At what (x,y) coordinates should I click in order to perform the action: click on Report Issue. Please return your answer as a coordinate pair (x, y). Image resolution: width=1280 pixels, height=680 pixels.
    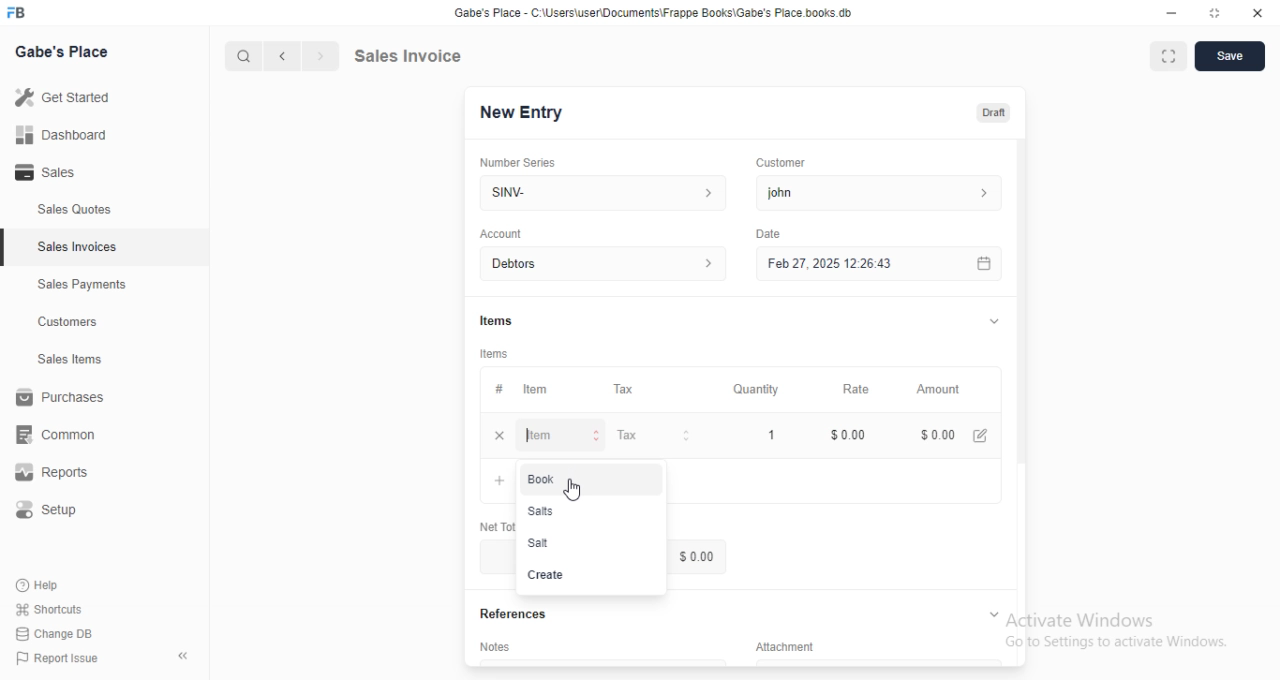
    Looking at the image, I should click on (61, 660).